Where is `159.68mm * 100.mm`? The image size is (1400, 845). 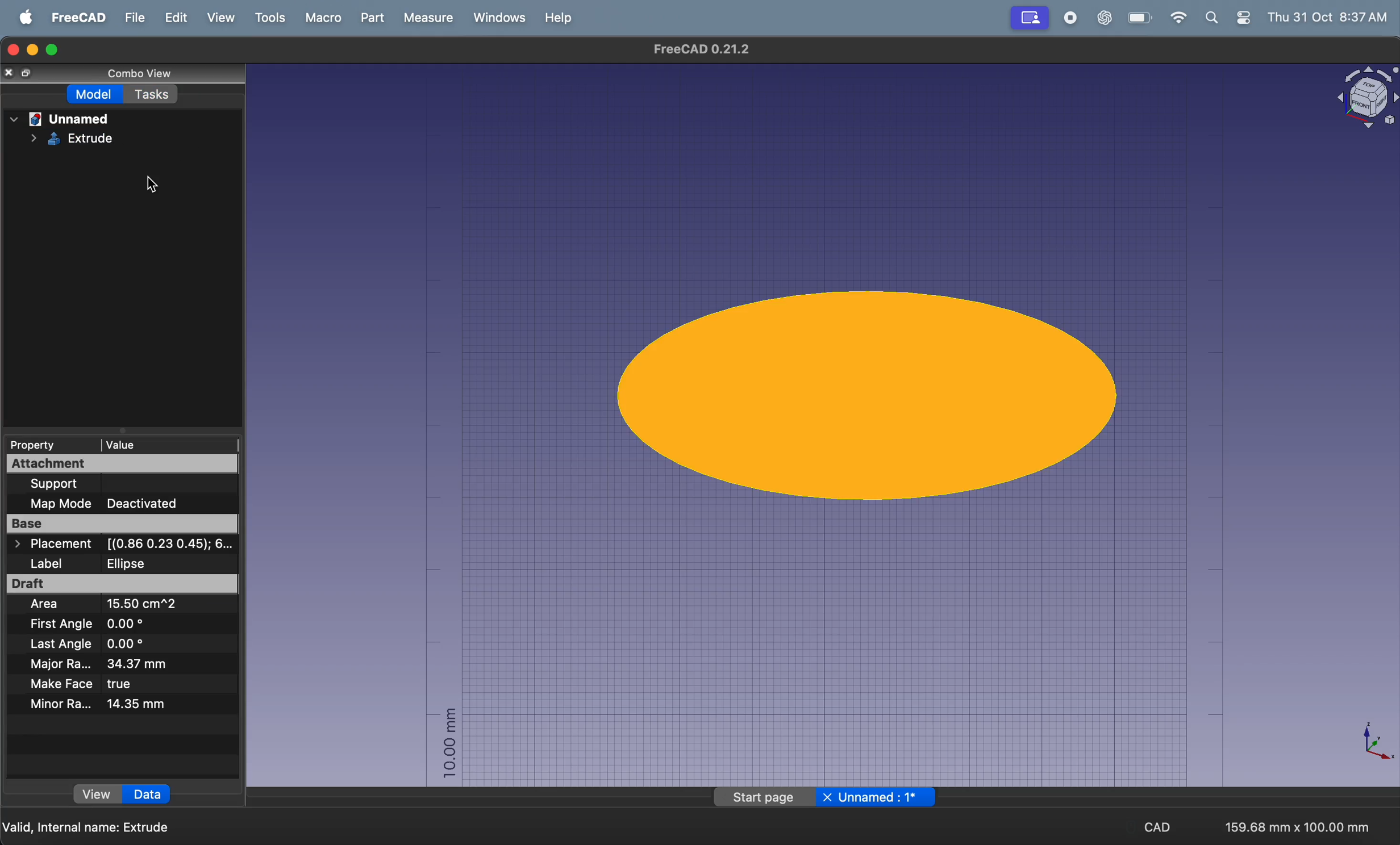 159.68mm * 100.mm is located at coordinates (1294, 823).